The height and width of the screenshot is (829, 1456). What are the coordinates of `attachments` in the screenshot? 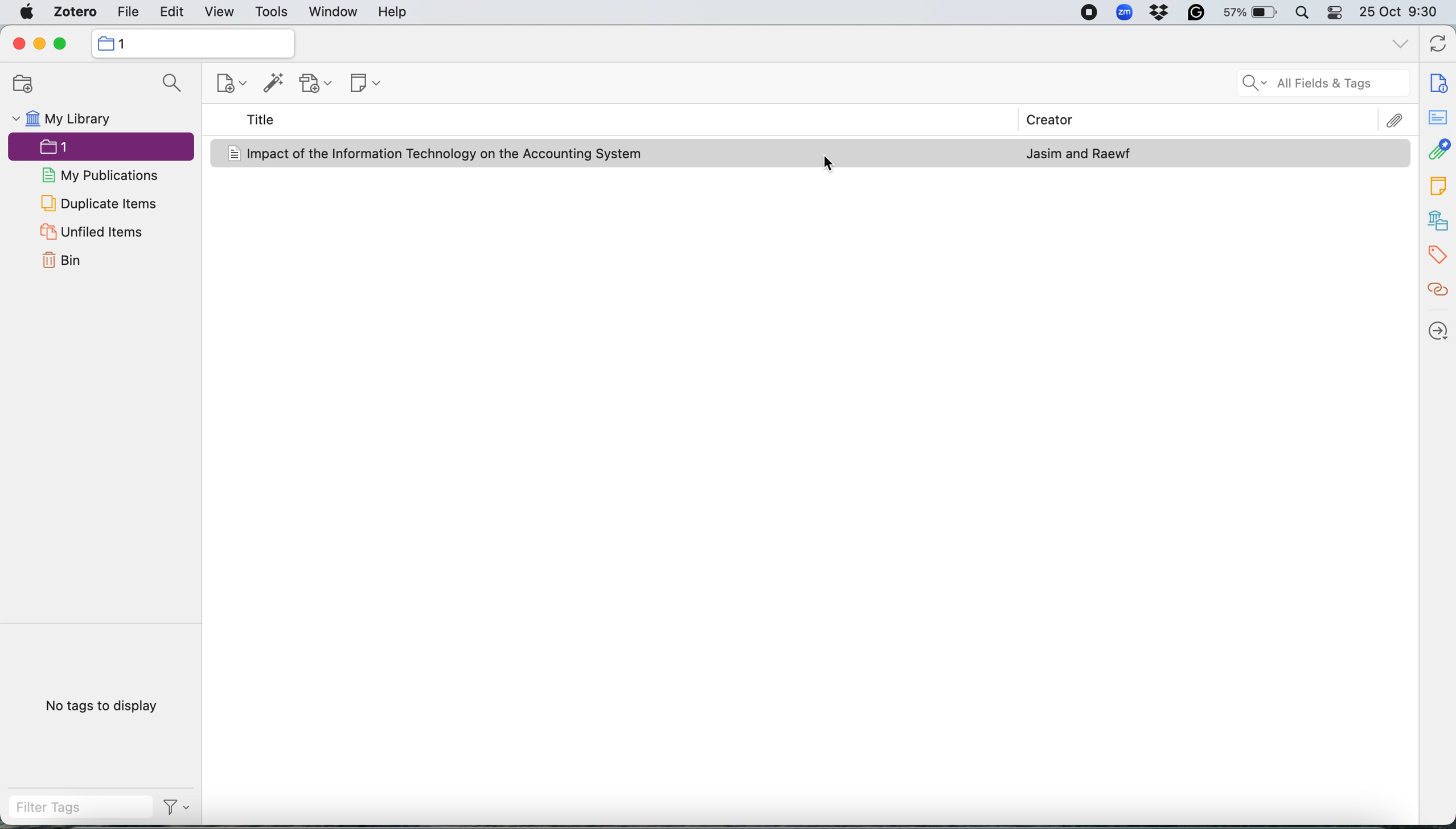 It's located at (1395, 118).